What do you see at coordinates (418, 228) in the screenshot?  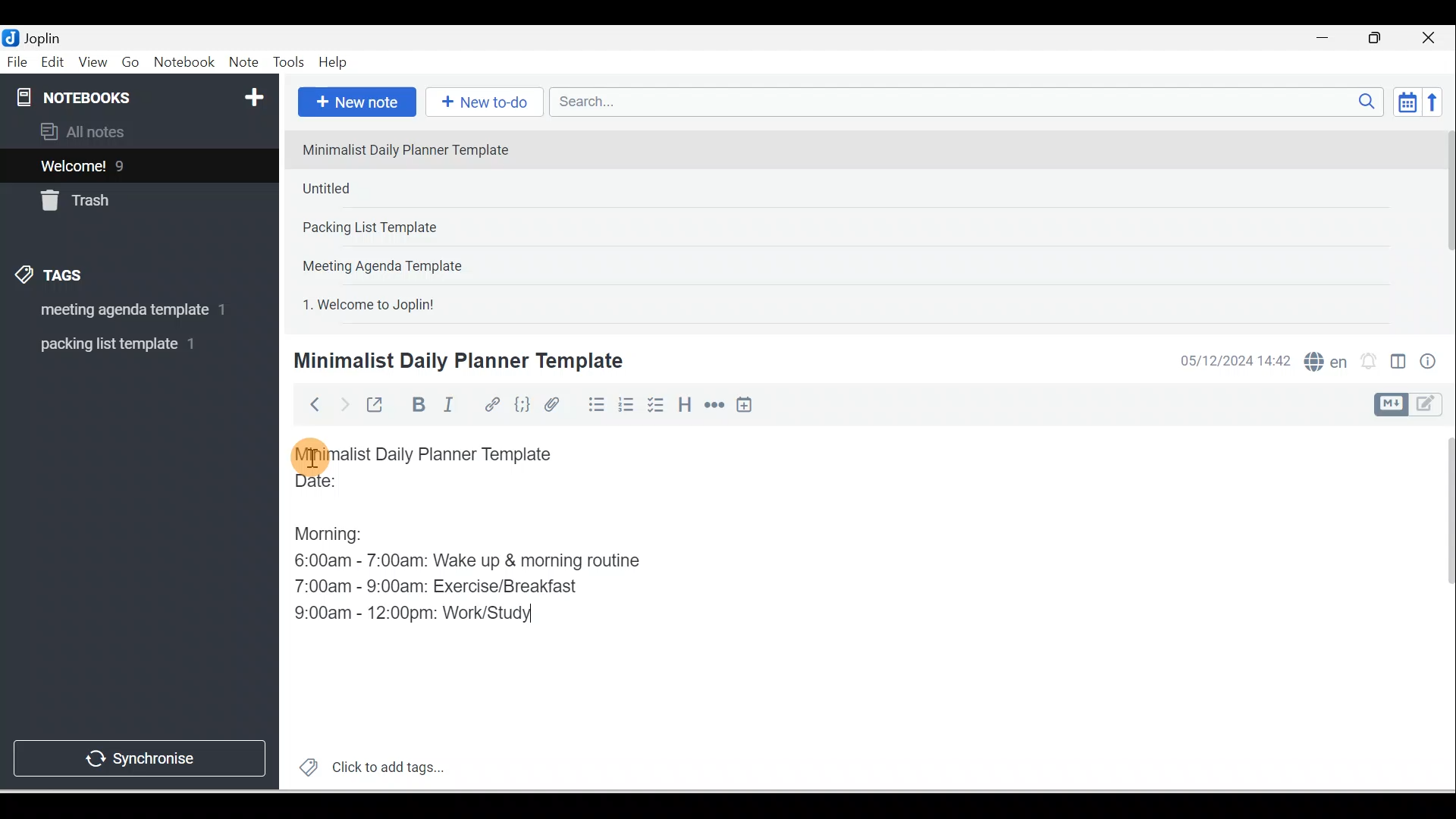 I see `Note 3` at bounding box center [418, 228].